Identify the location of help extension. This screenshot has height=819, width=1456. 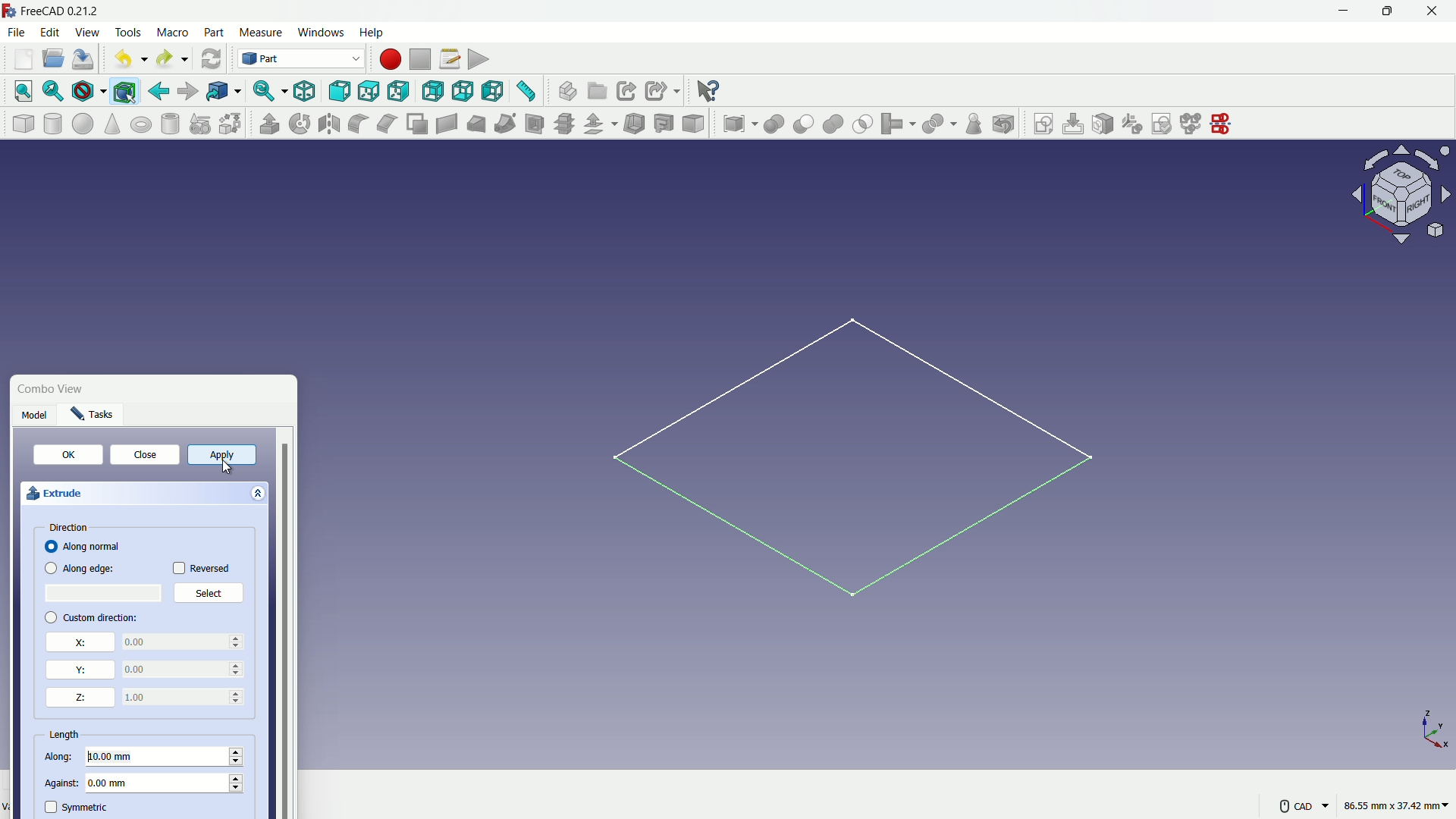
(707, 90).